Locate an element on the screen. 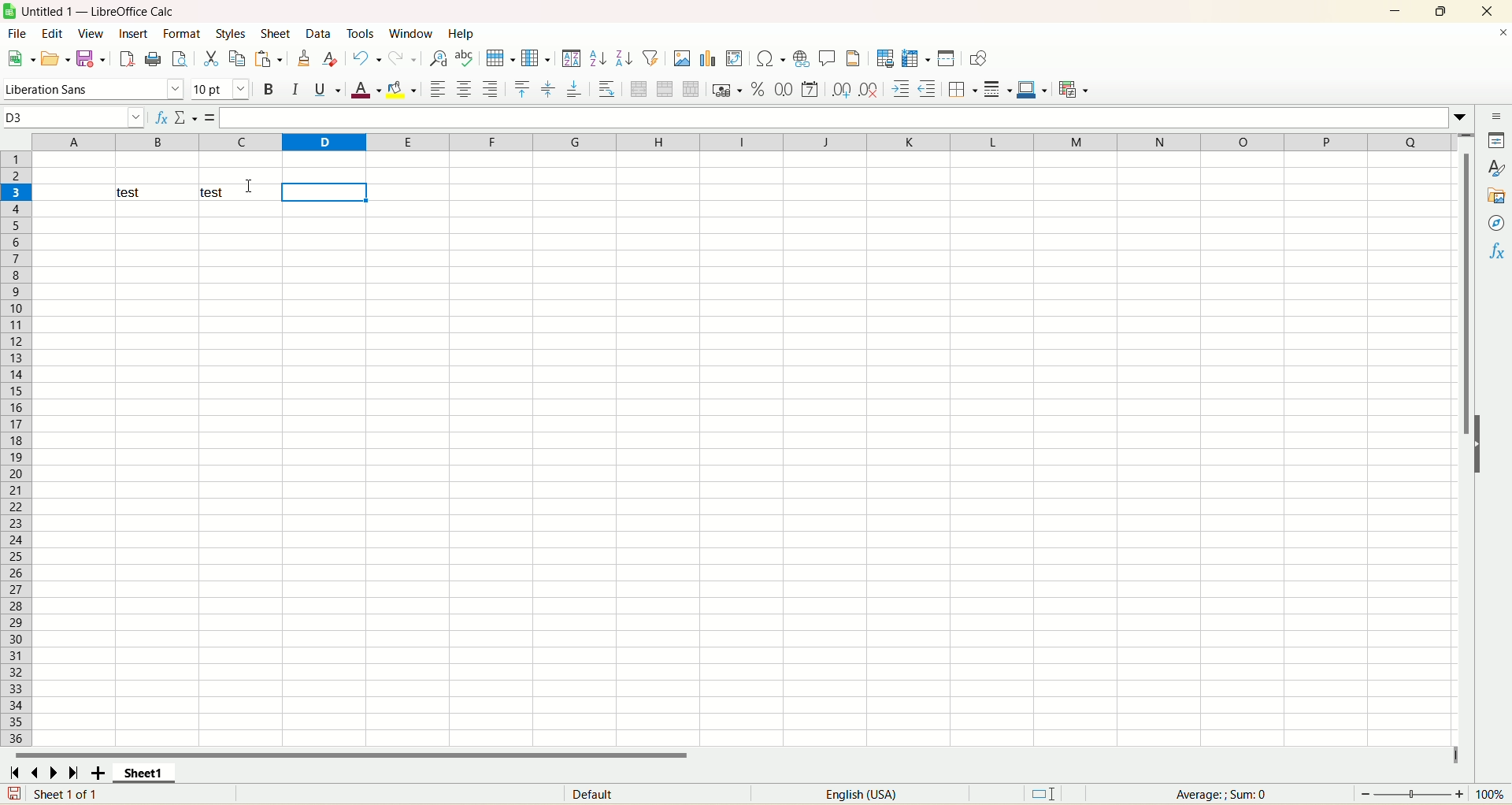 Image resolution: width=1512 pixels, height=805 pixels. cut is located at coordinates (211, 58).